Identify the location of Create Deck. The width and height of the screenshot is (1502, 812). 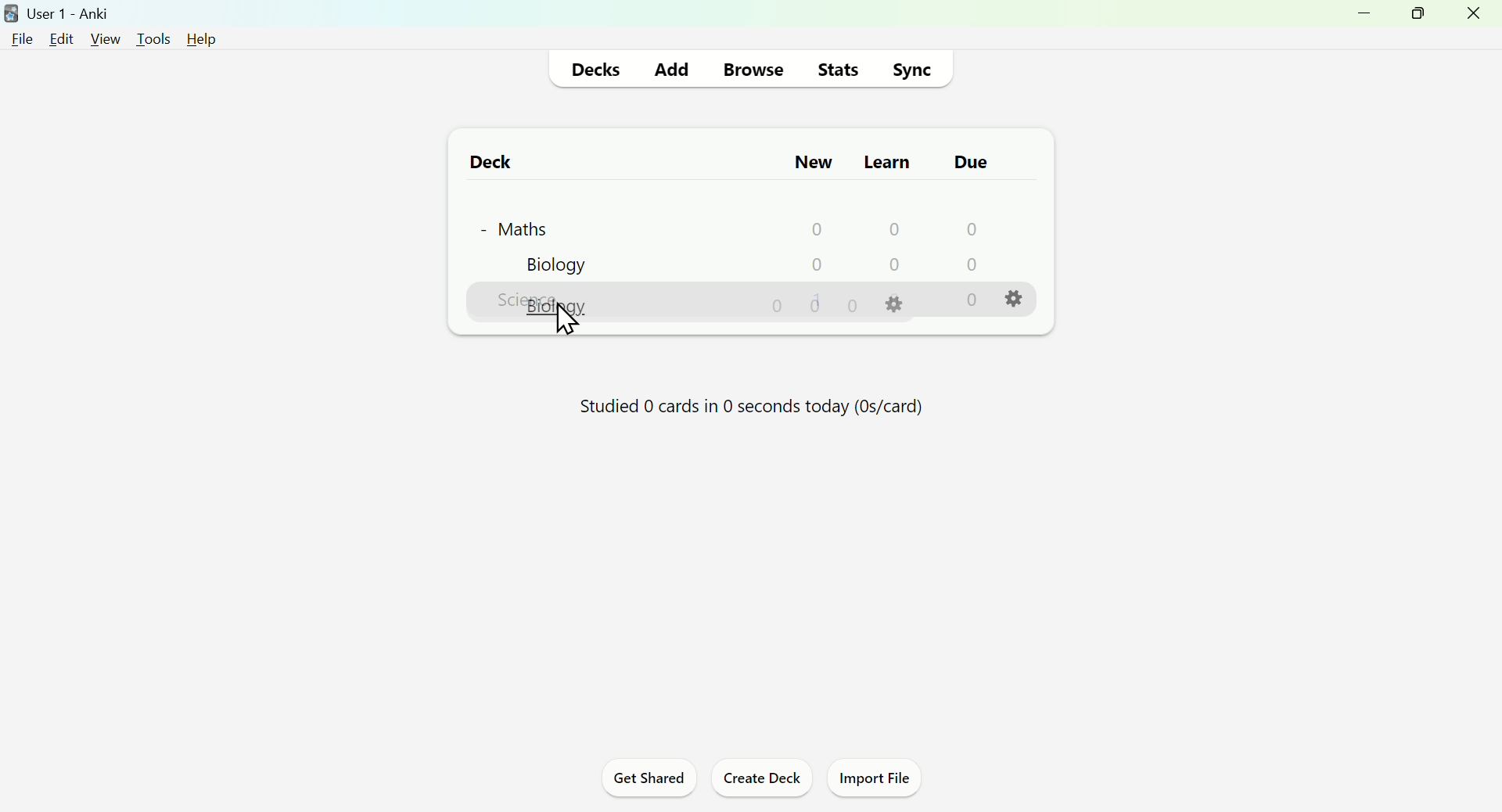
(761, 781).